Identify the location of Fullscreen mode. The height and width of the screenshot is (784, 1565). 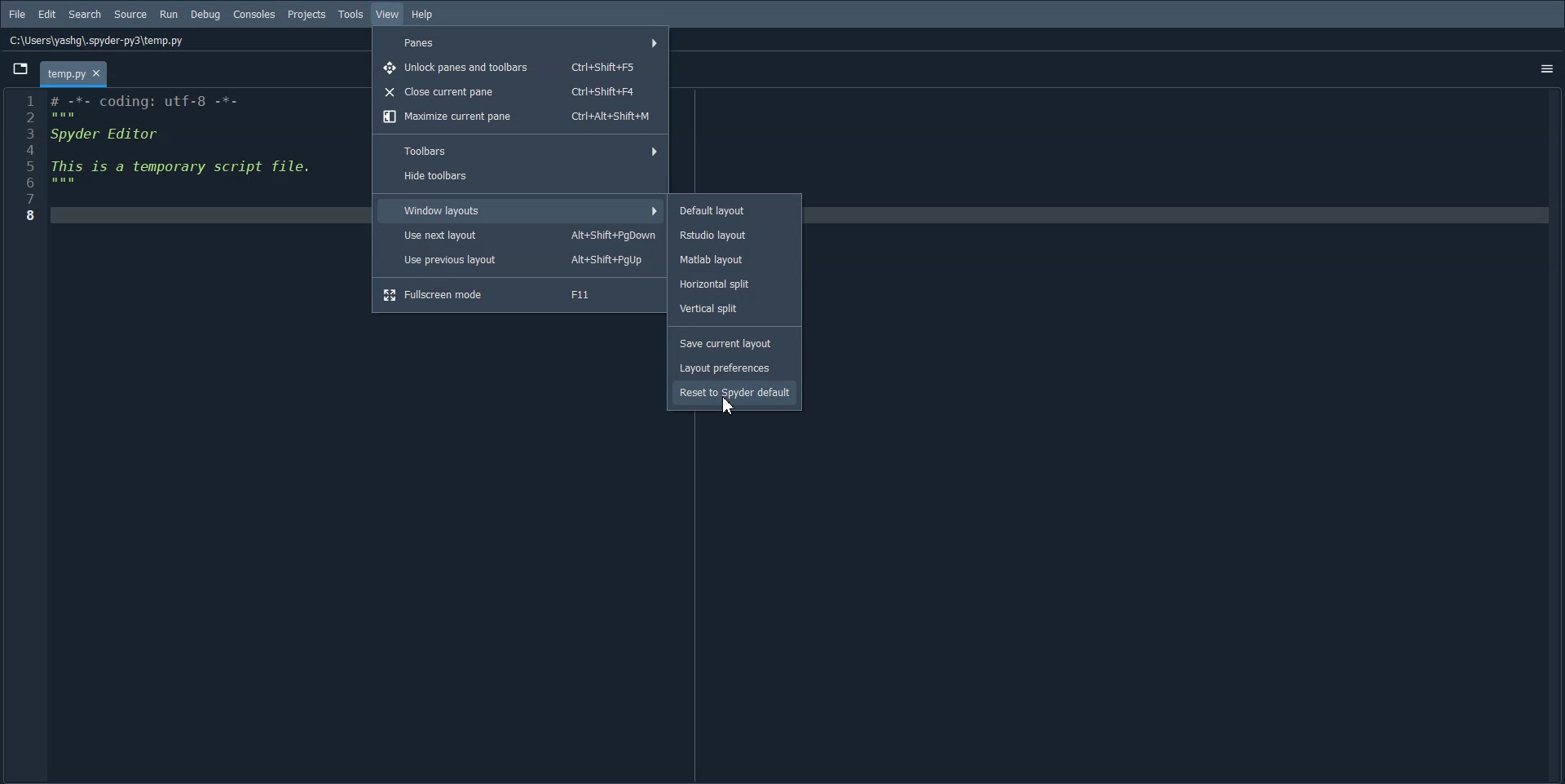
(520, 293).